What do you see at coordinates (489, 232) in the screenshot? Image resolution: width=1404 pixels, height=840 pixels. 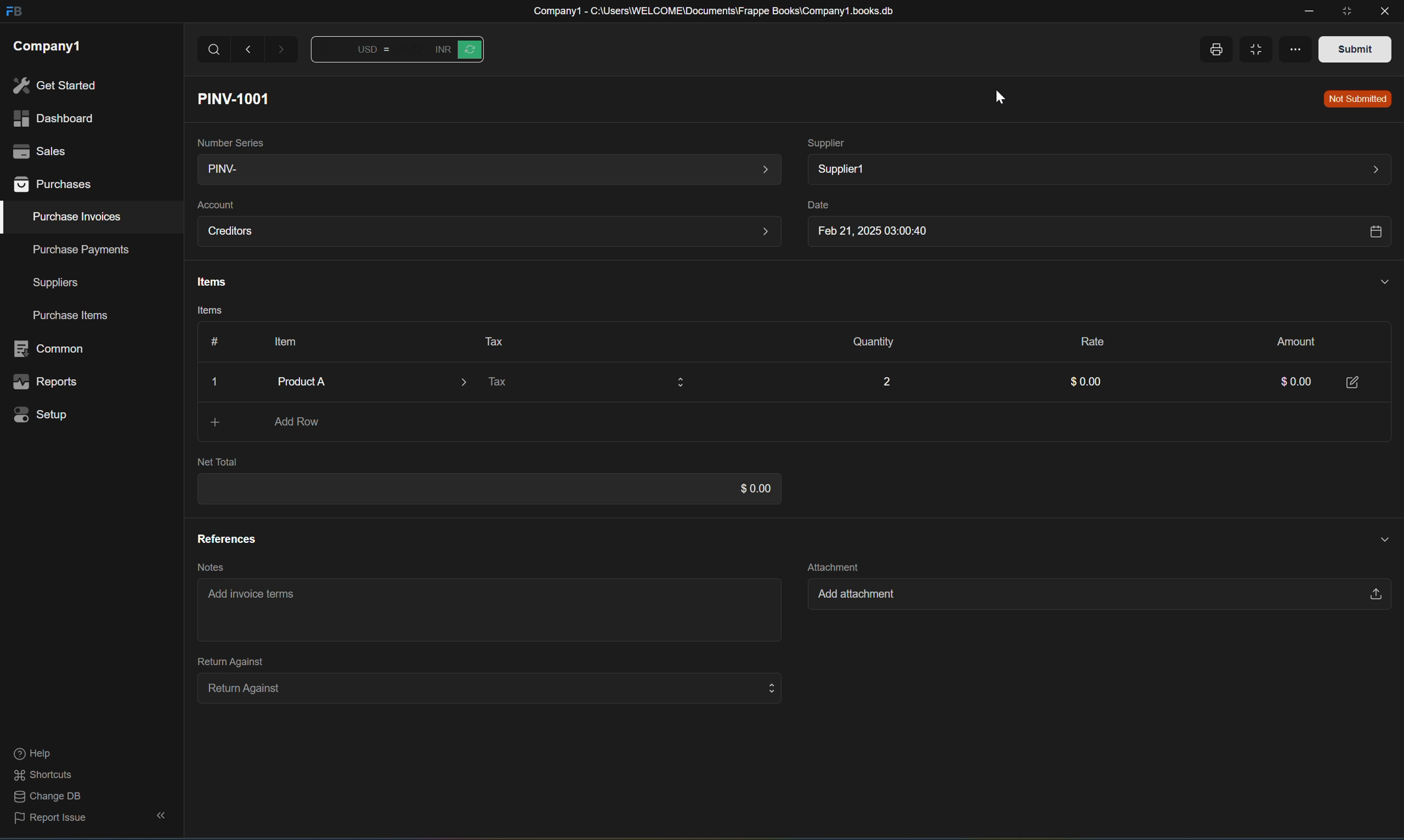 I see `Creditors` at bounding box center [489, 232].